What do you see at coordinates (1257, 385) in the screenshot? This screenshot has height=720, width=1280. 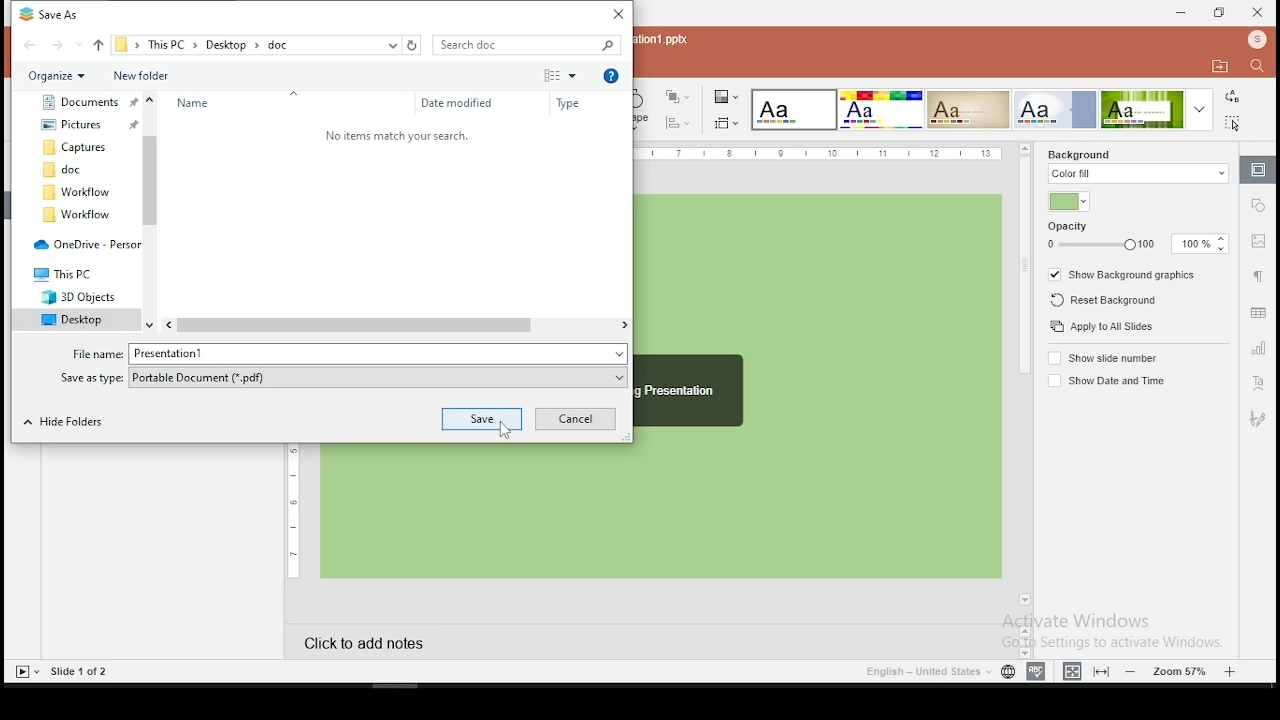 I see `text art settings` at bounding box center [1257, 385].